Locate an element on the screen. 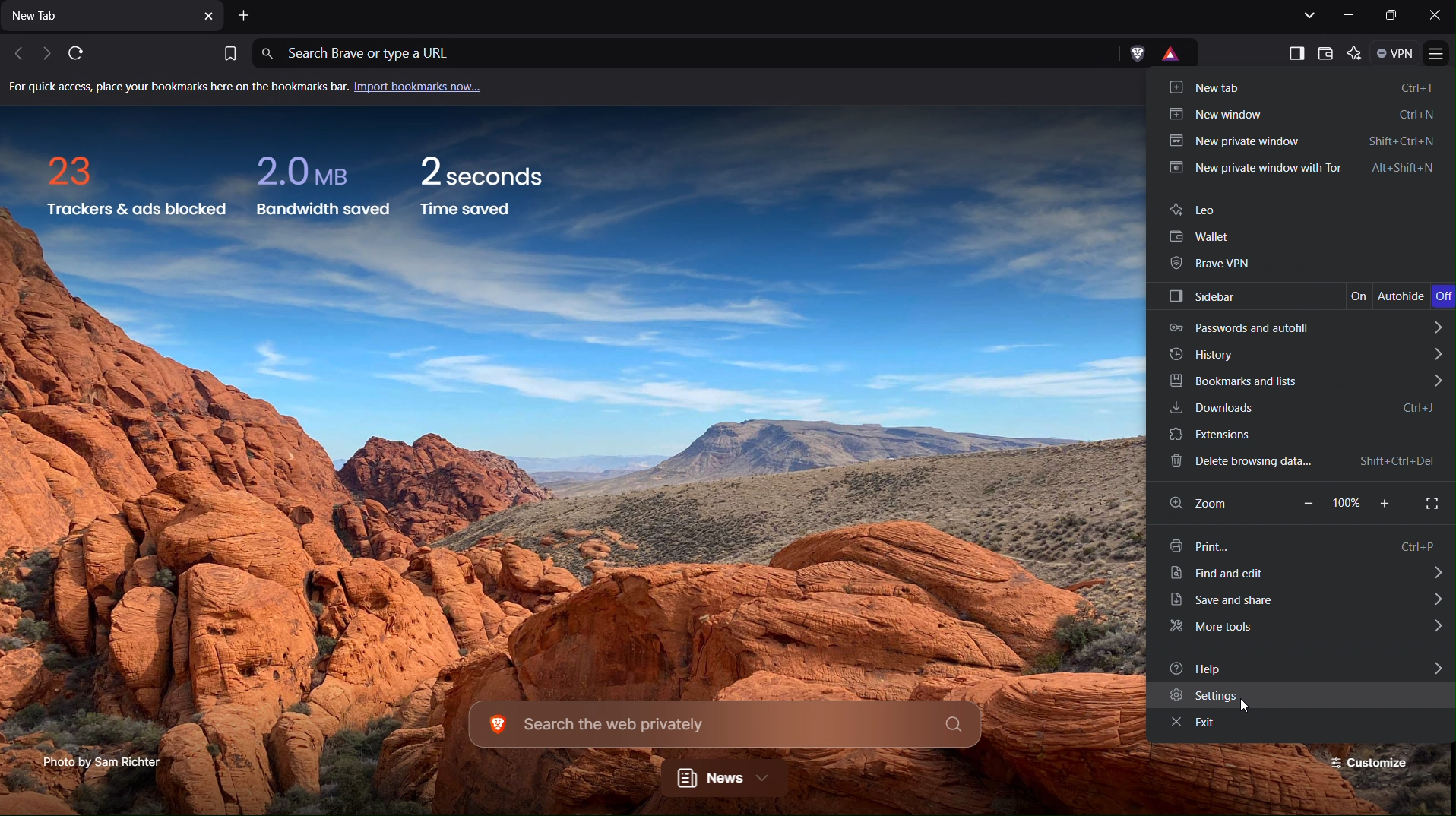 The height and width of the screenshot is (816, 1456). Time saved is located at coordinates (492, 185).